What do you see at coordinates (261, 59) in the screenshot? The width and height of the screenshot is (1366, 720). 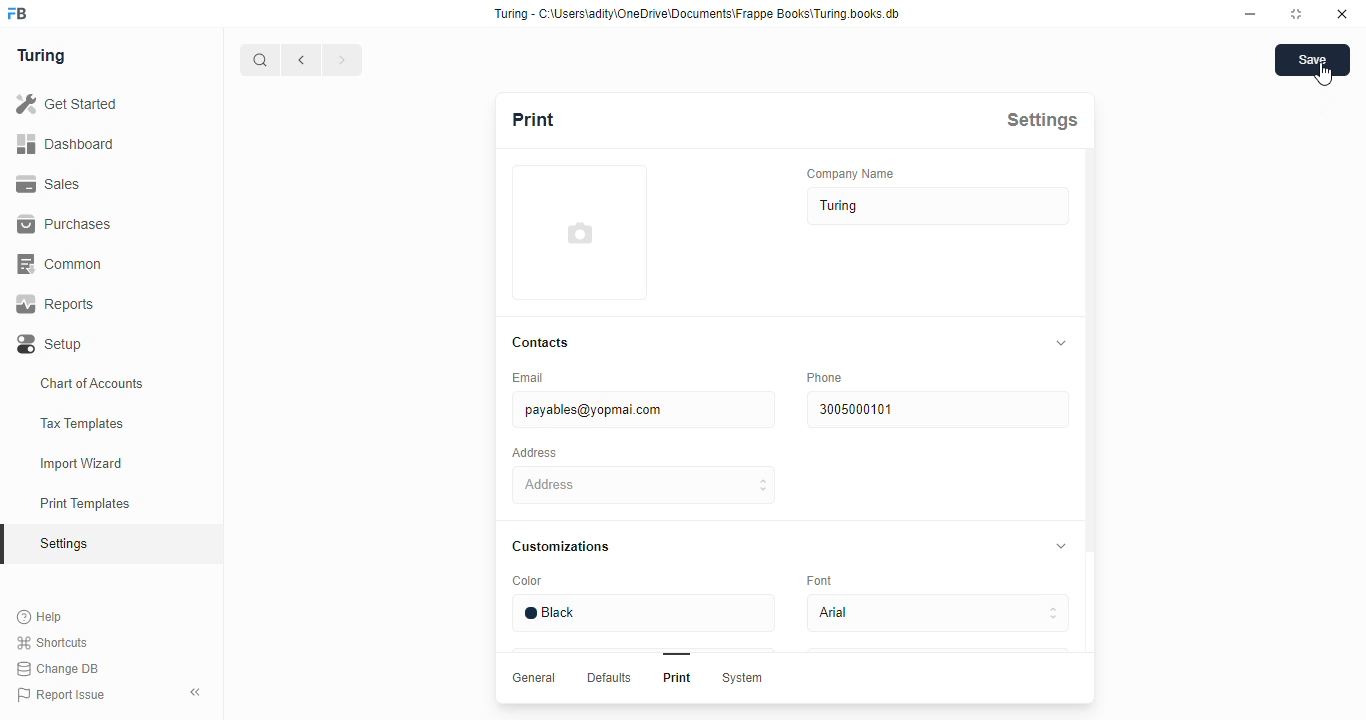 I see `search ` at bounding box center [261, 59].